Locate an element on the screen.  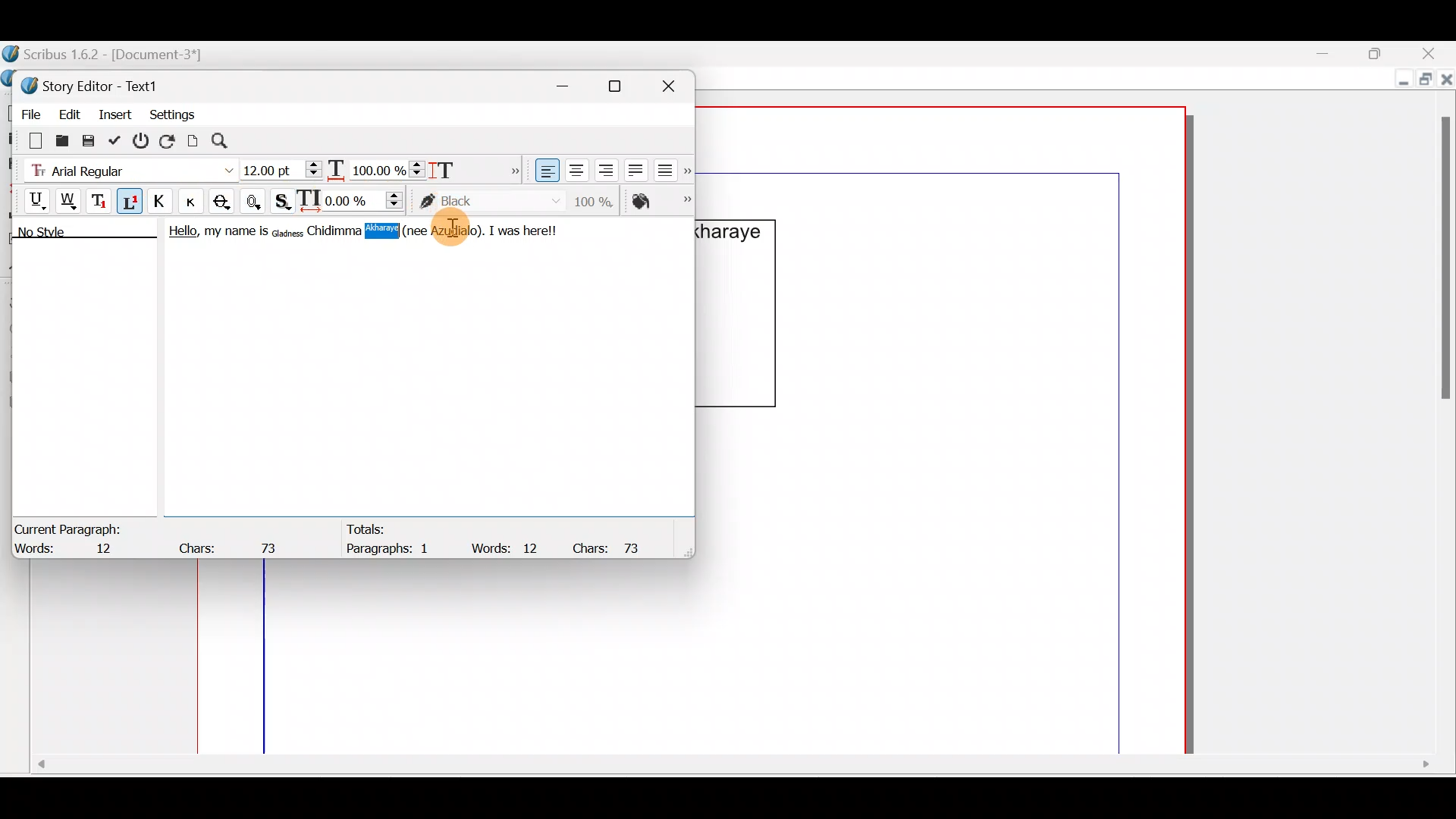
Chidimma is located at coordinates (335, 231).